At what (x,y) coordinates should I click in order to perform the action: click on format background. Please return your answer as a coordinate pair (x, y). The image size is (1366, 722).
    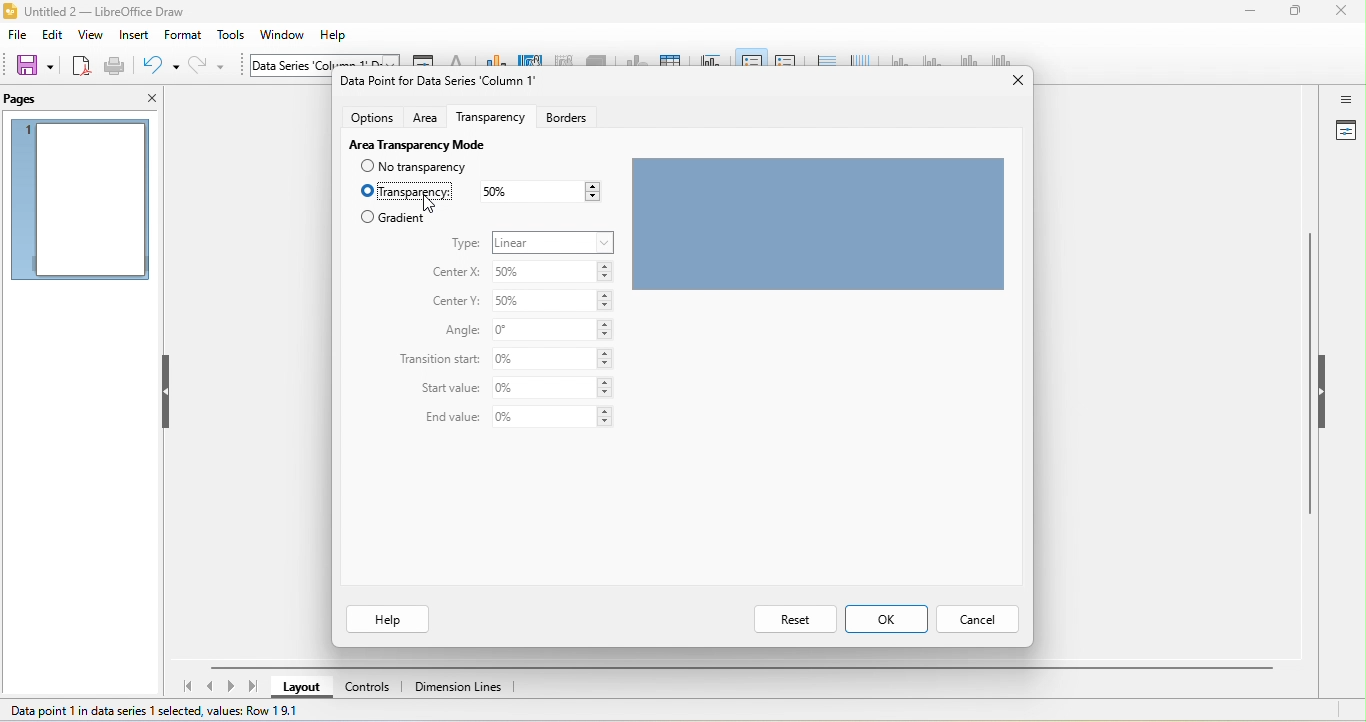
    Looking at the image, I should click on (529, 58).